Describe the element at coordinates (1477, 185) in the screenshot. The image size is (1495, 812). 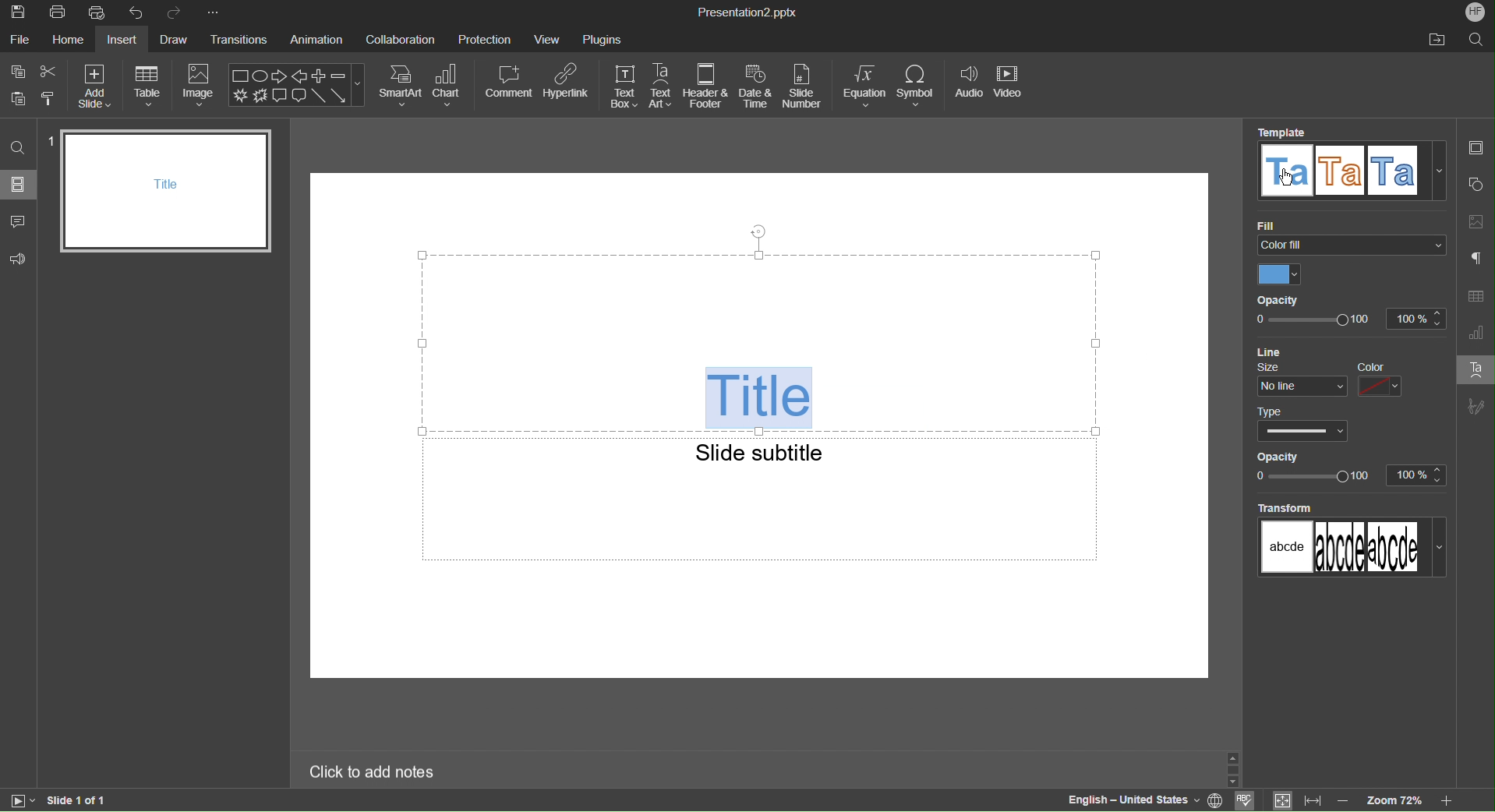
I see `Shape Settings` at that location.